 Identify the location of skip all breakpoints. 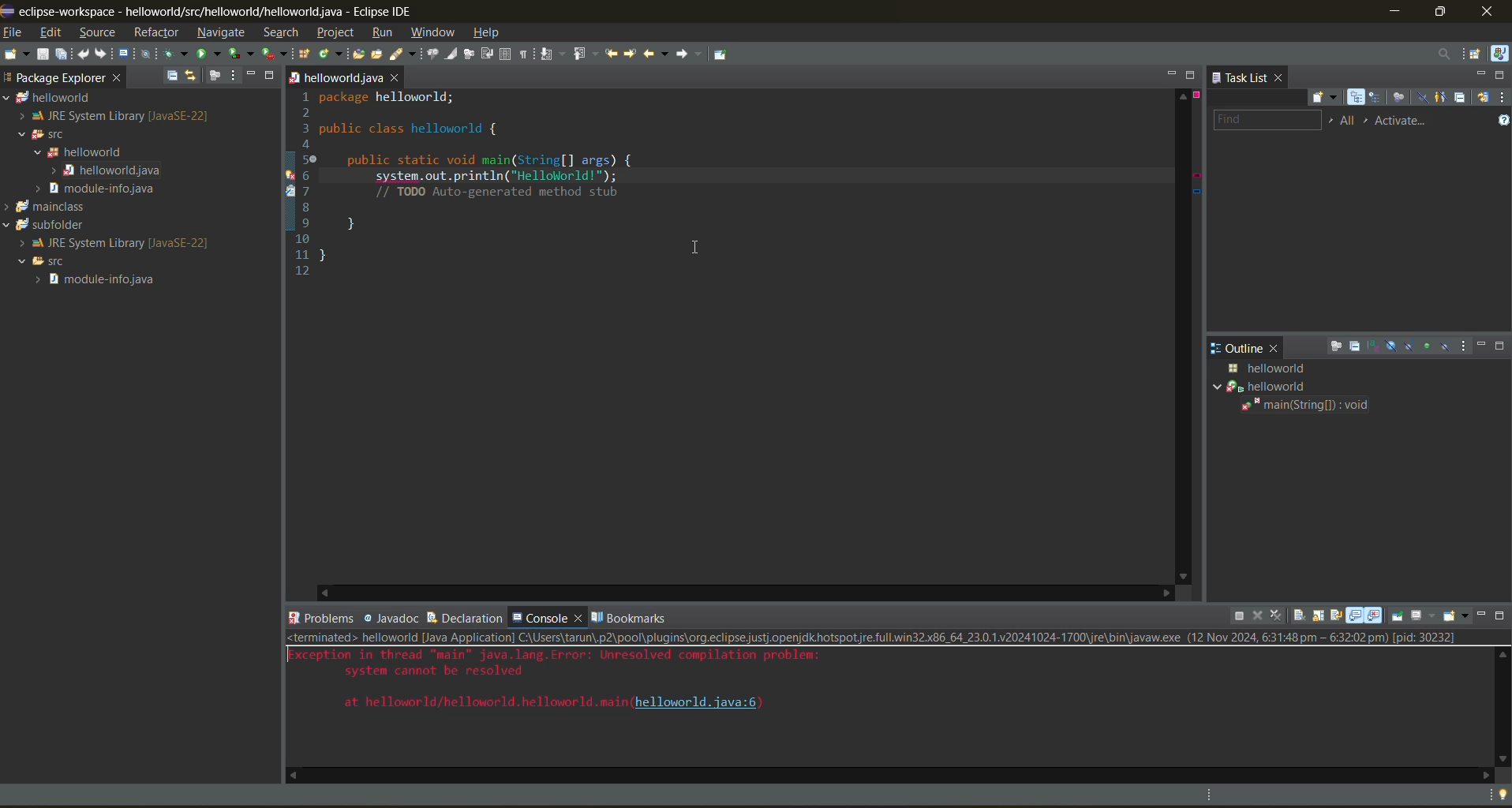
(148, 54).